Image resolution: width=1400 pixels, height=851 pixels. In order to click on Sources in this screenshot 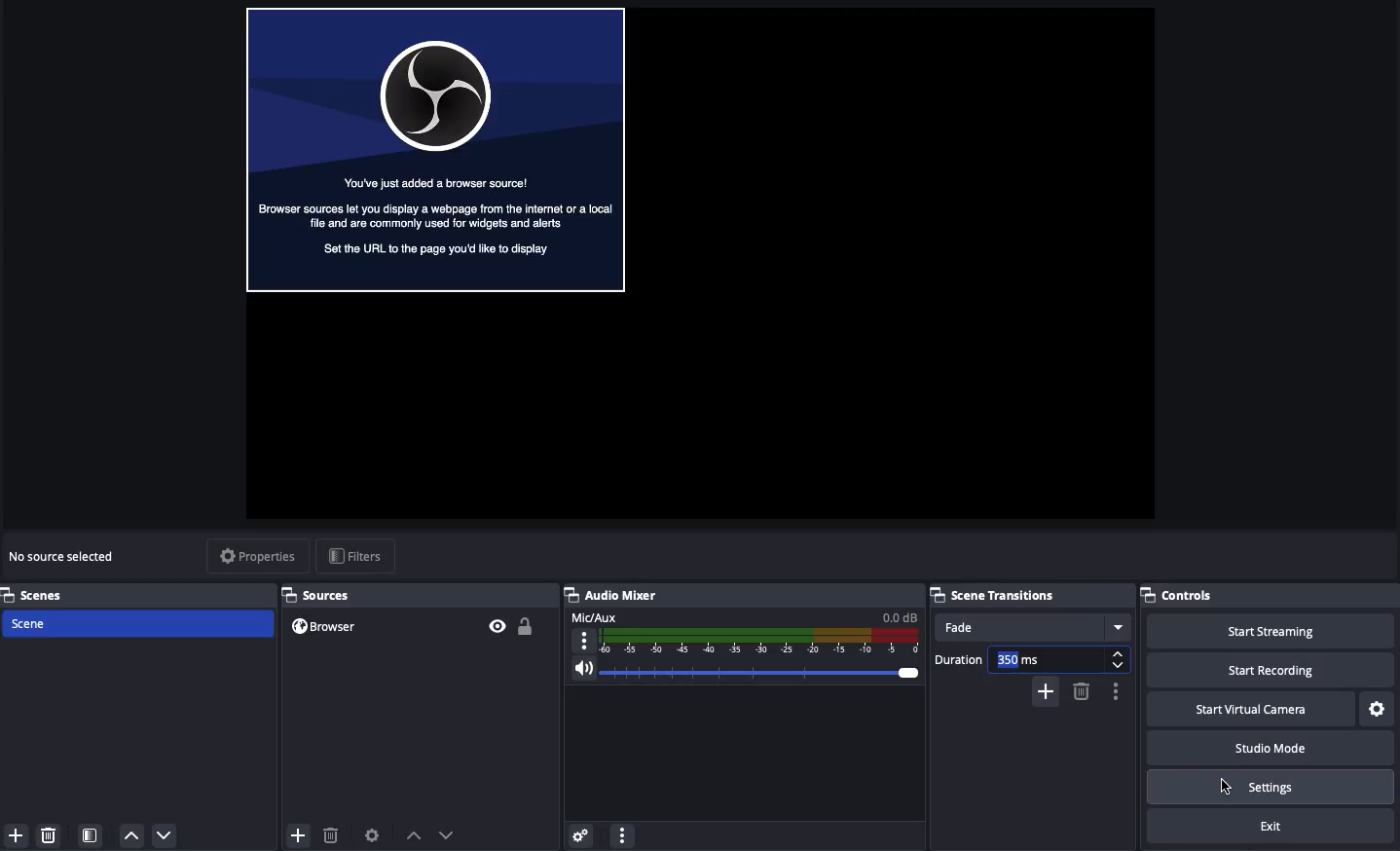, I will do `click(319, 597)`.